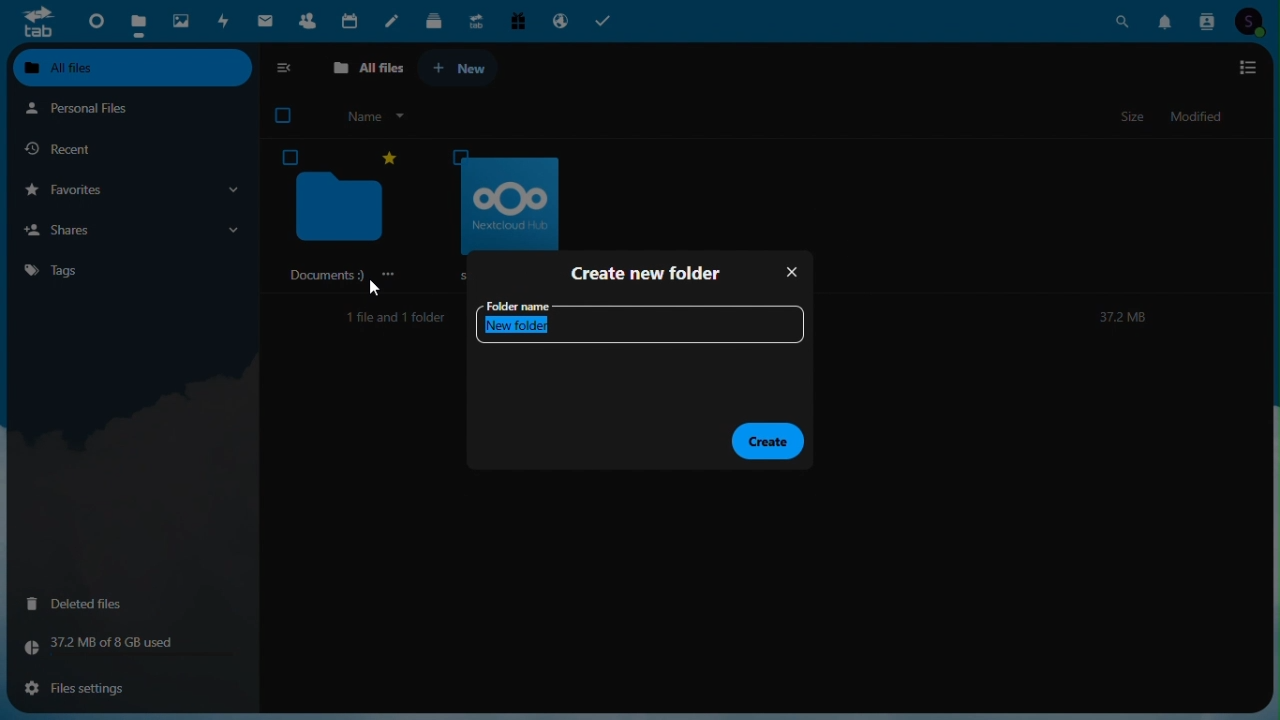 The width and height of the screenshot is (1280, 720). I want to click on Deleted files, so click(127, 605).